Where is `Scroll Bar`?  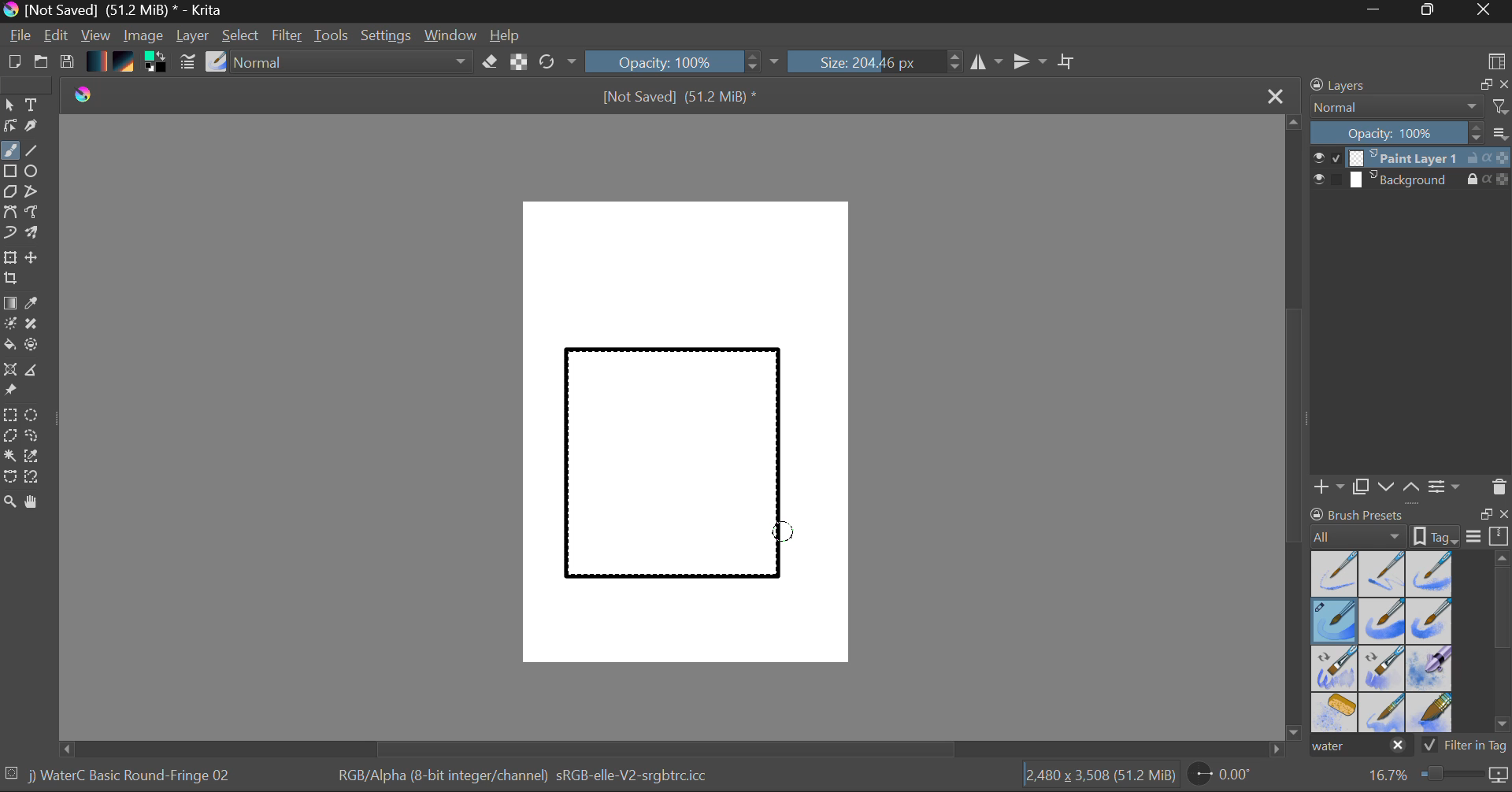 Scroll Bar is located at coordinates (1295, 429).